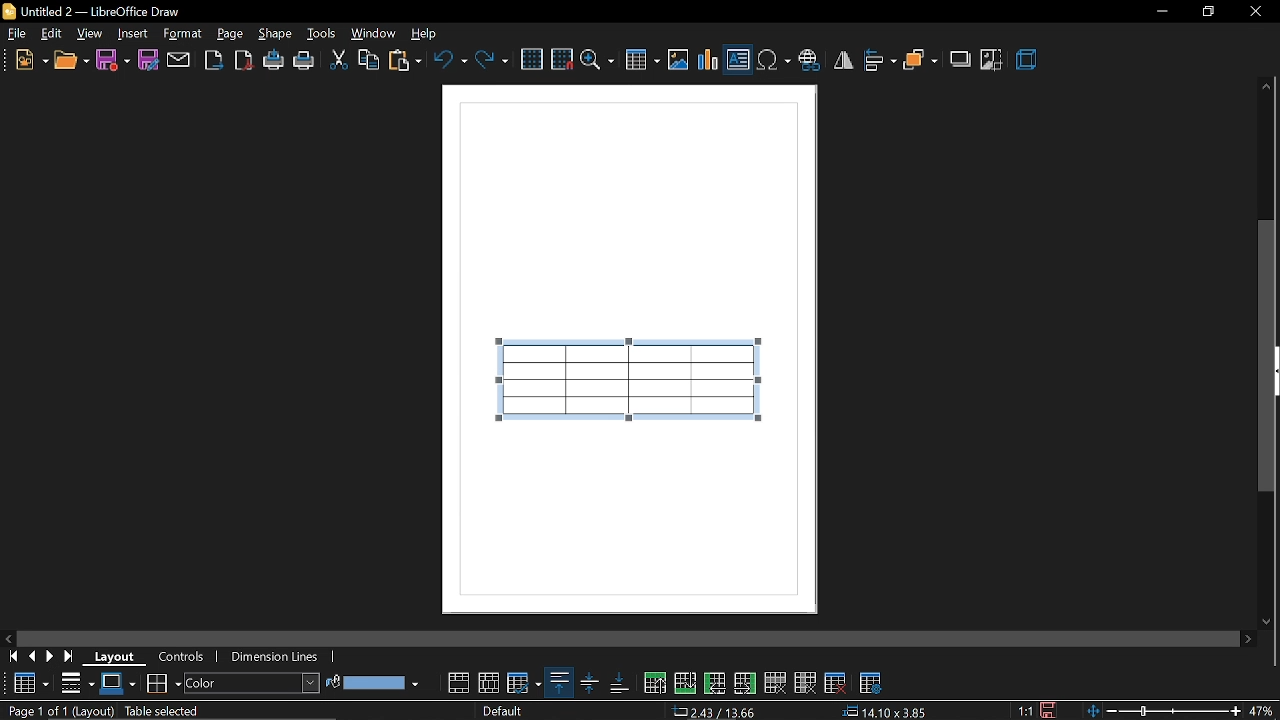 Image resolution: width=1280 pixels, height=720 pixels. What do you see at coordinates (1265, 620) in the screenshot?
I see `move down` at bounding box center [1265, 620].